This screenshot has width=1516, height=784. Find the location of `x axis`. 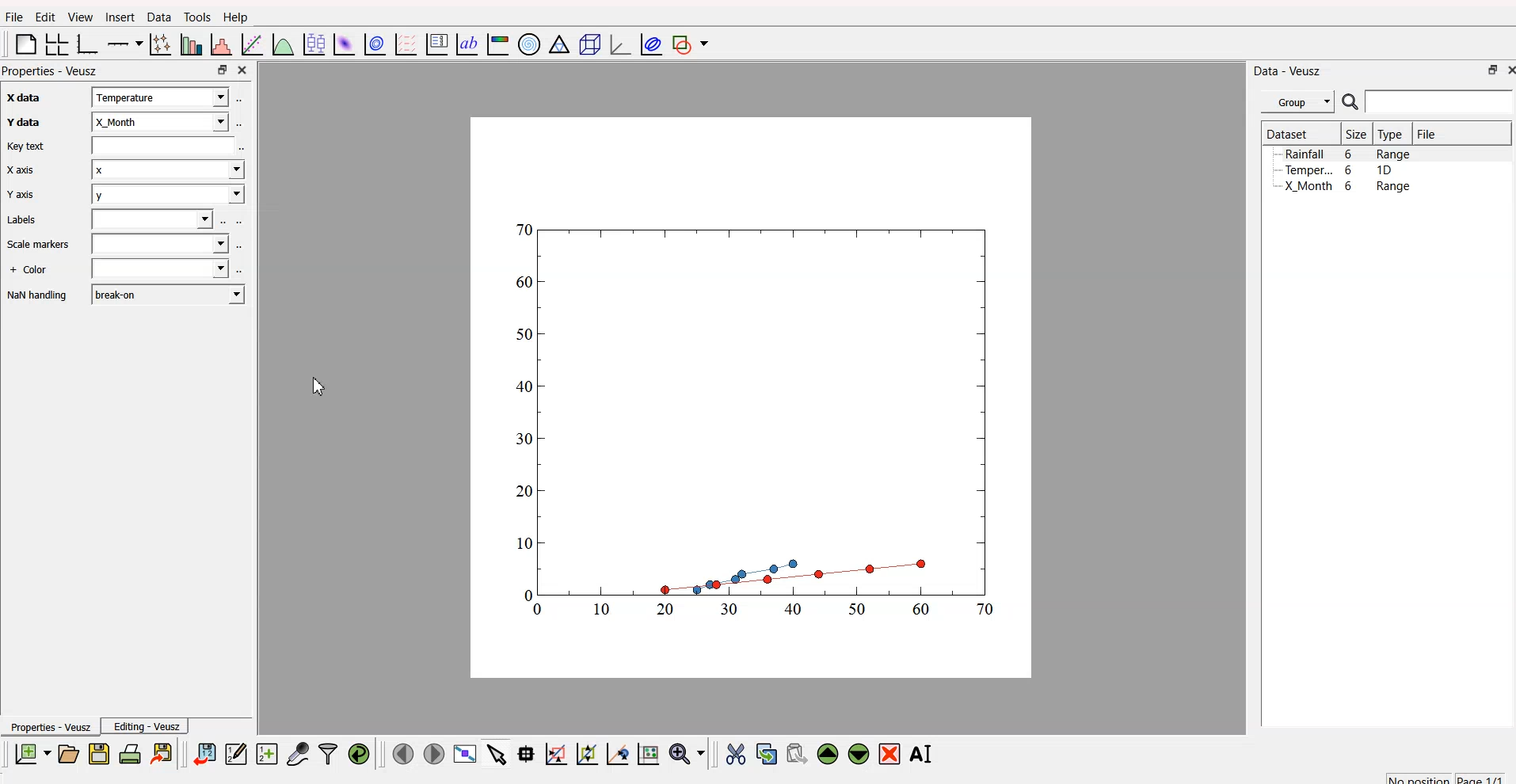

x axis is located at coordinates (19, 99).